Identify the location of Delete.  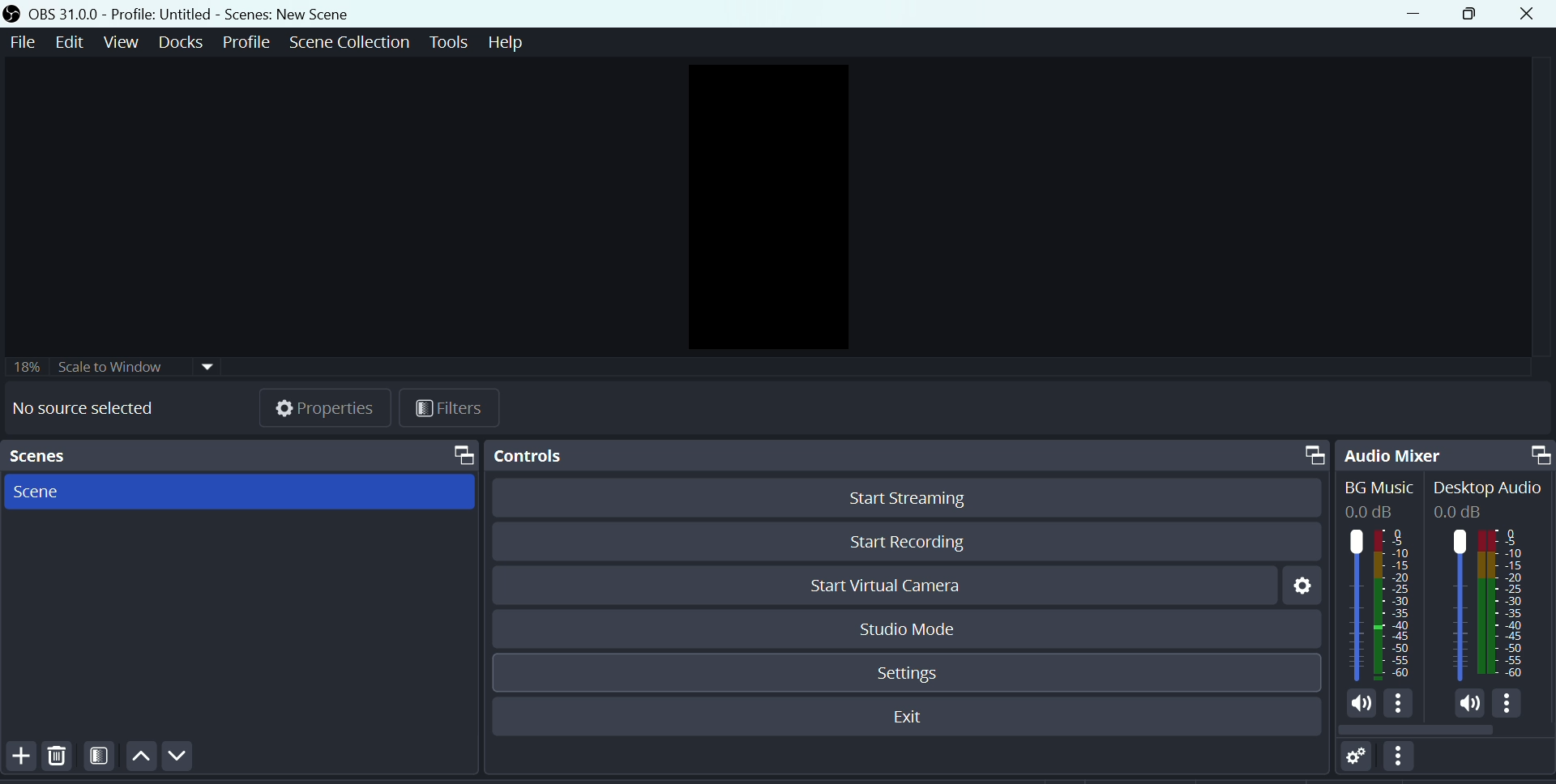
(64, 762).